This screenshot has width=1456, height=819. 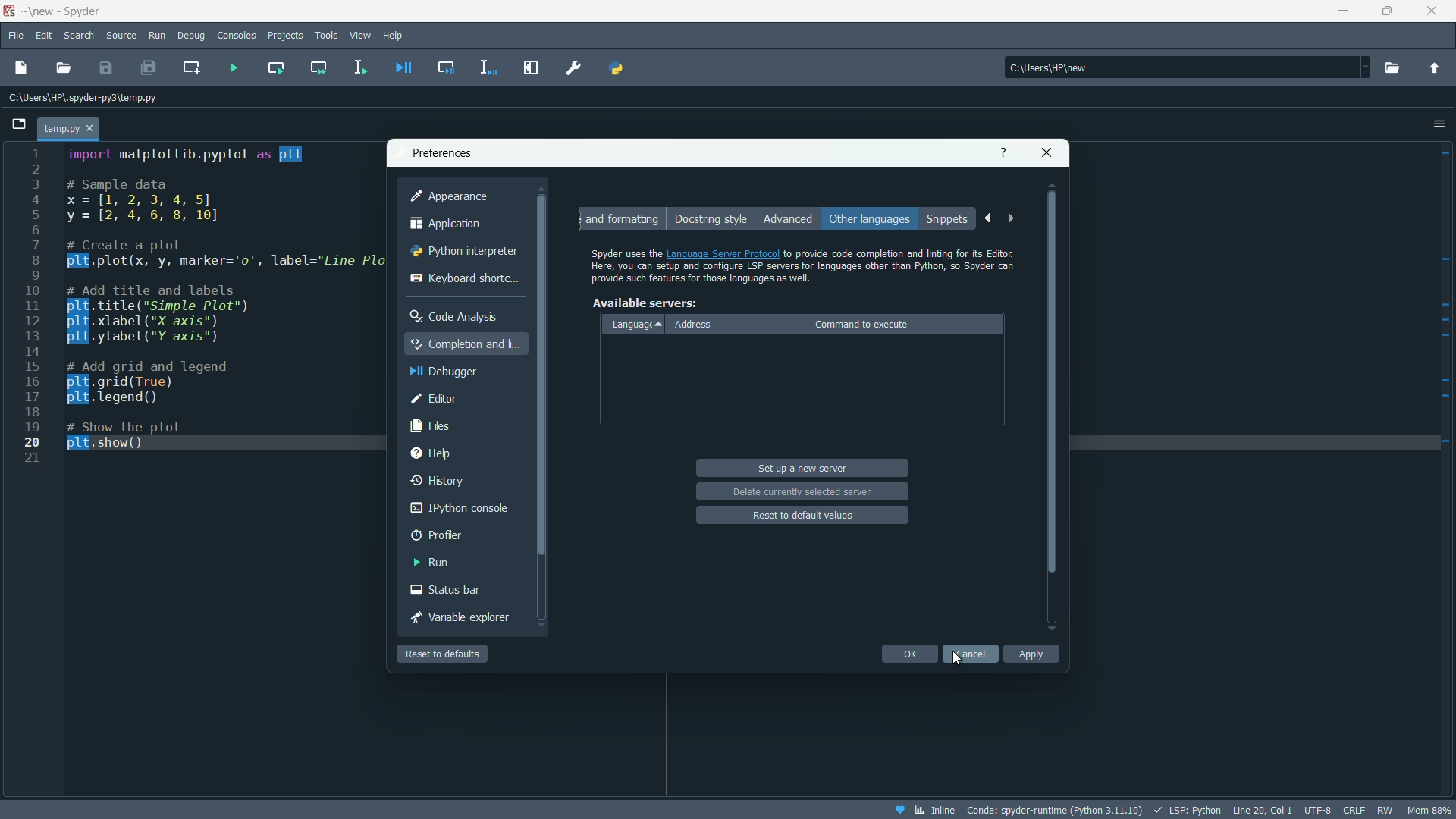 What do you see at coordinates (361, 35) in the screenshot?
I see `view` at bounding box center [361, 35].